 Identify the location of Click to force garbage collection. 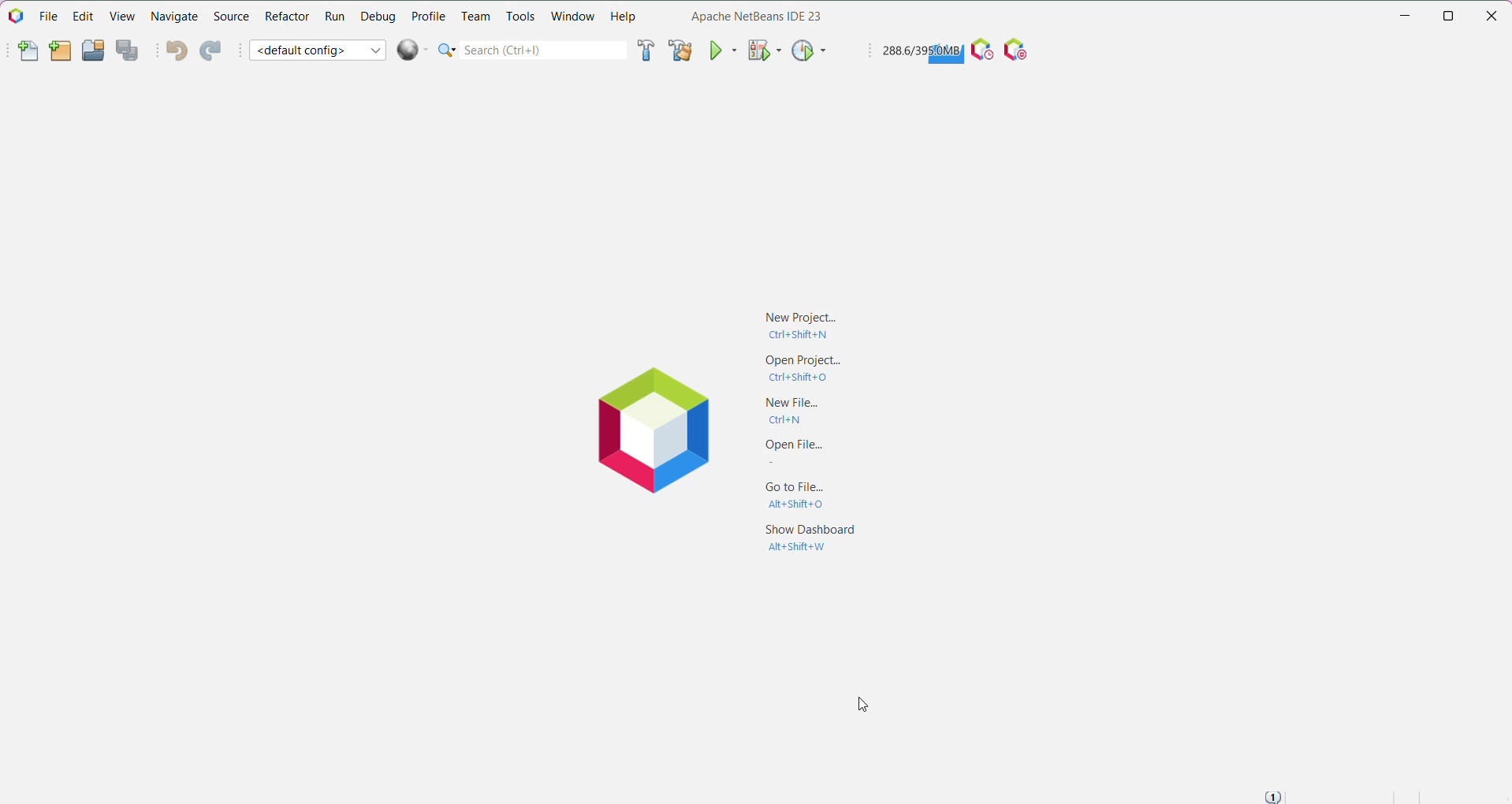
(921, 51).